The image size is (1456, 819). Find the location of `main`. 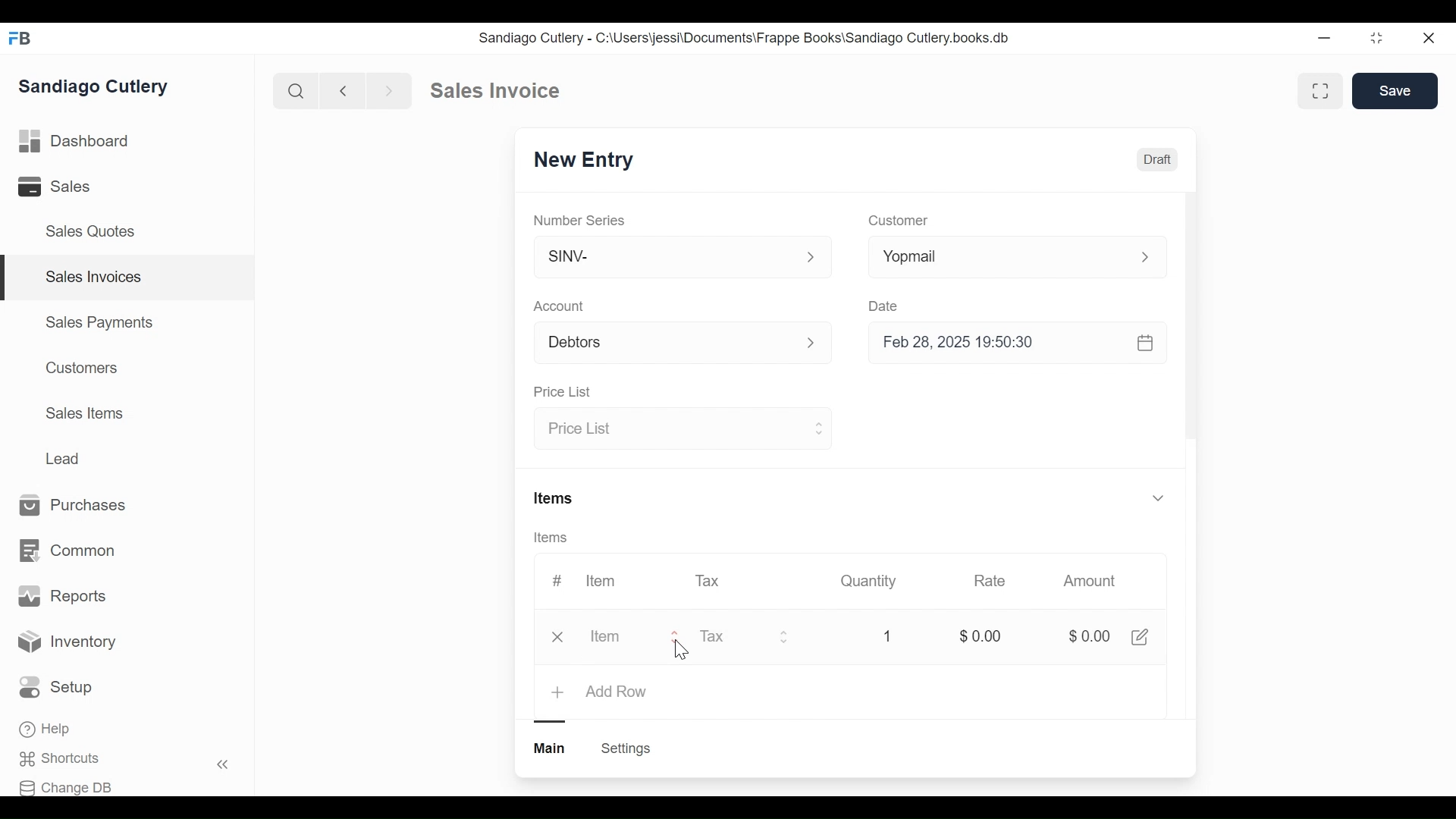

main is located at coordinates (551, 748).